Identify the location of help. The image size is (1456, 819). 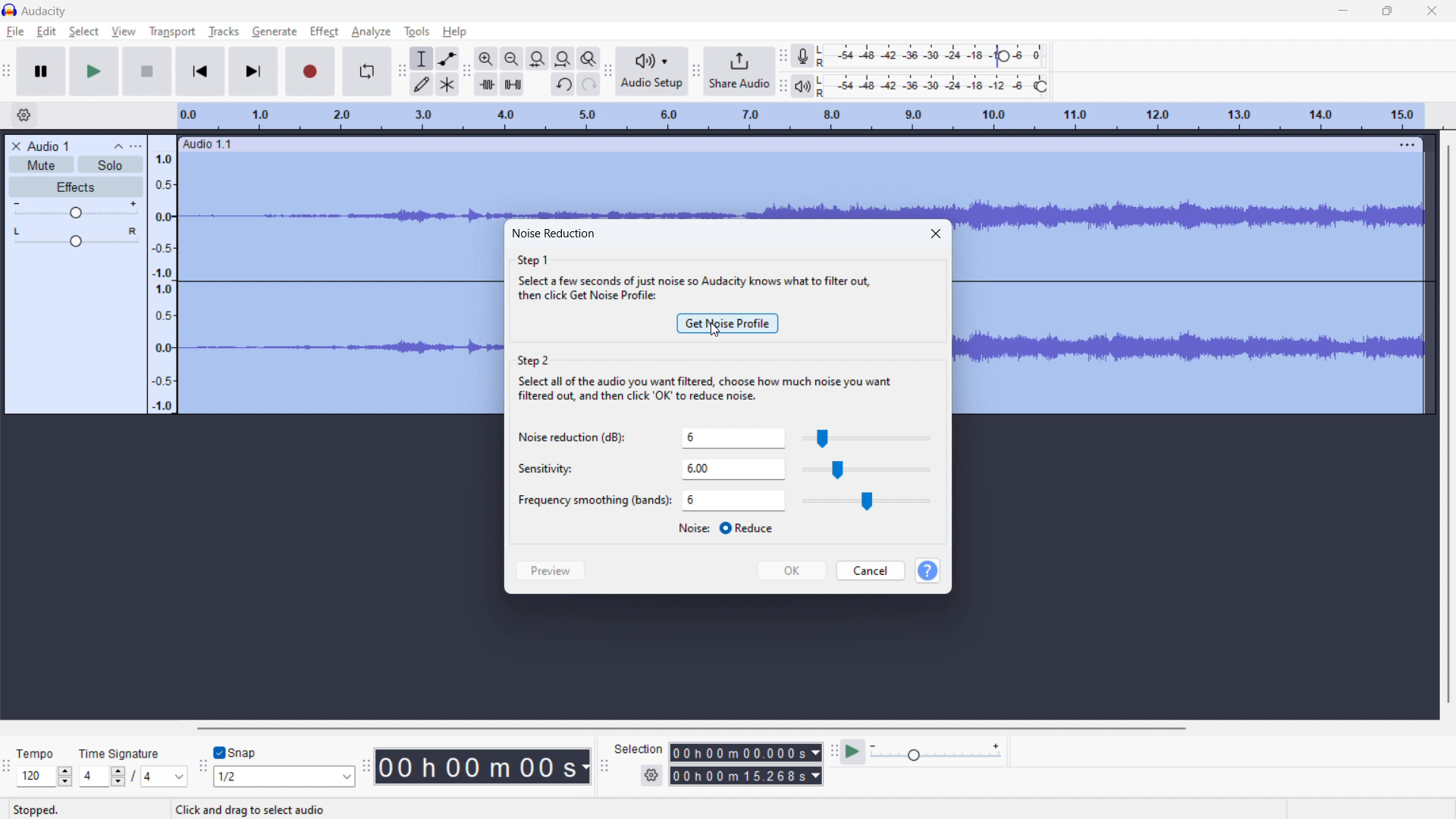
(927, 571).